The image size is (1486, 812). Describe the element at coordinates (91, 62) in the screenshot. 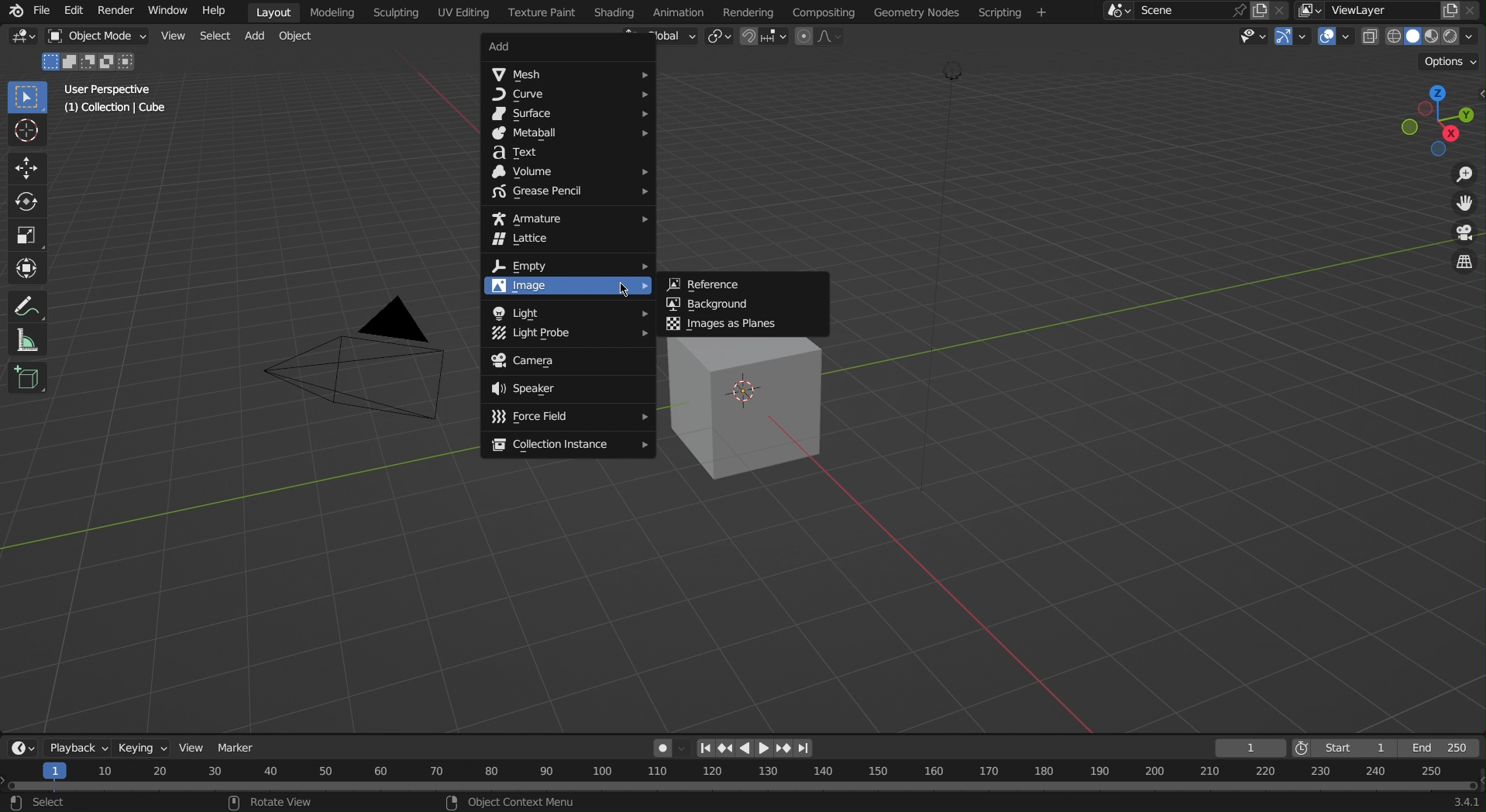

I see `Mode` at that location.